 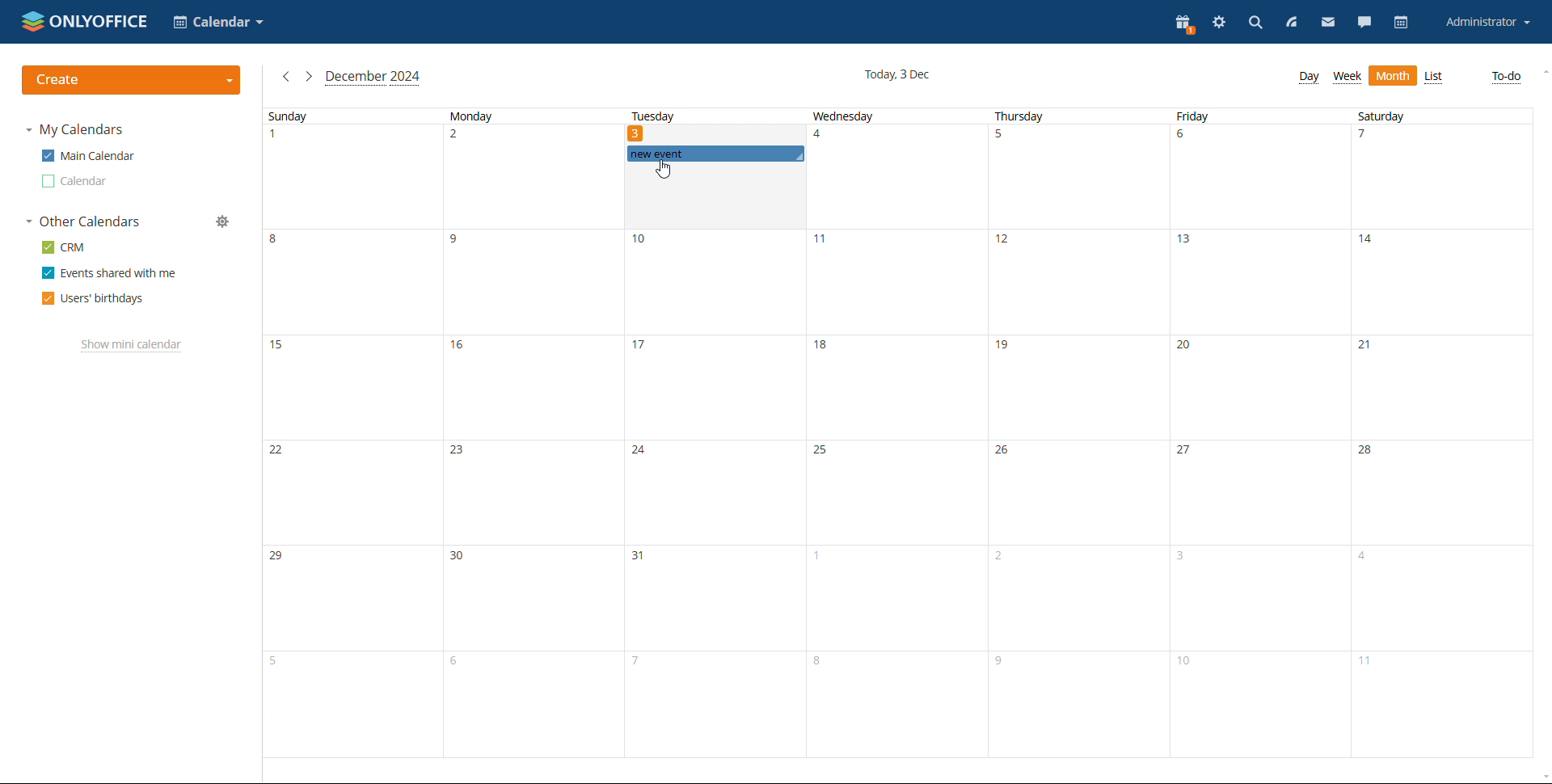 I want to click on main calendar, so click(x=88, y=155).